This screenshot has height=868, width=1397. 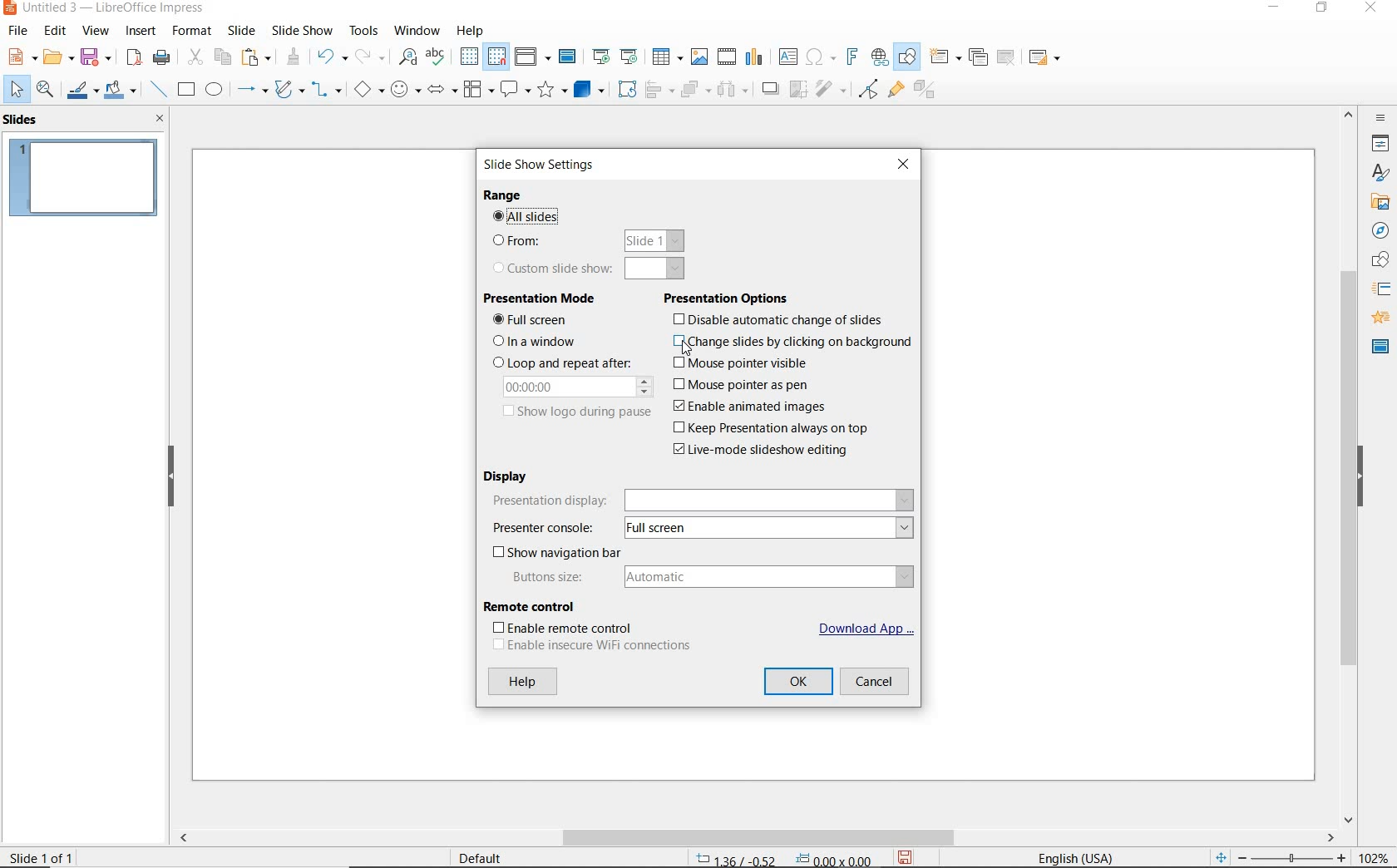 I want to click on SLIDE TRANSITION, so click(x=1378, y=290).